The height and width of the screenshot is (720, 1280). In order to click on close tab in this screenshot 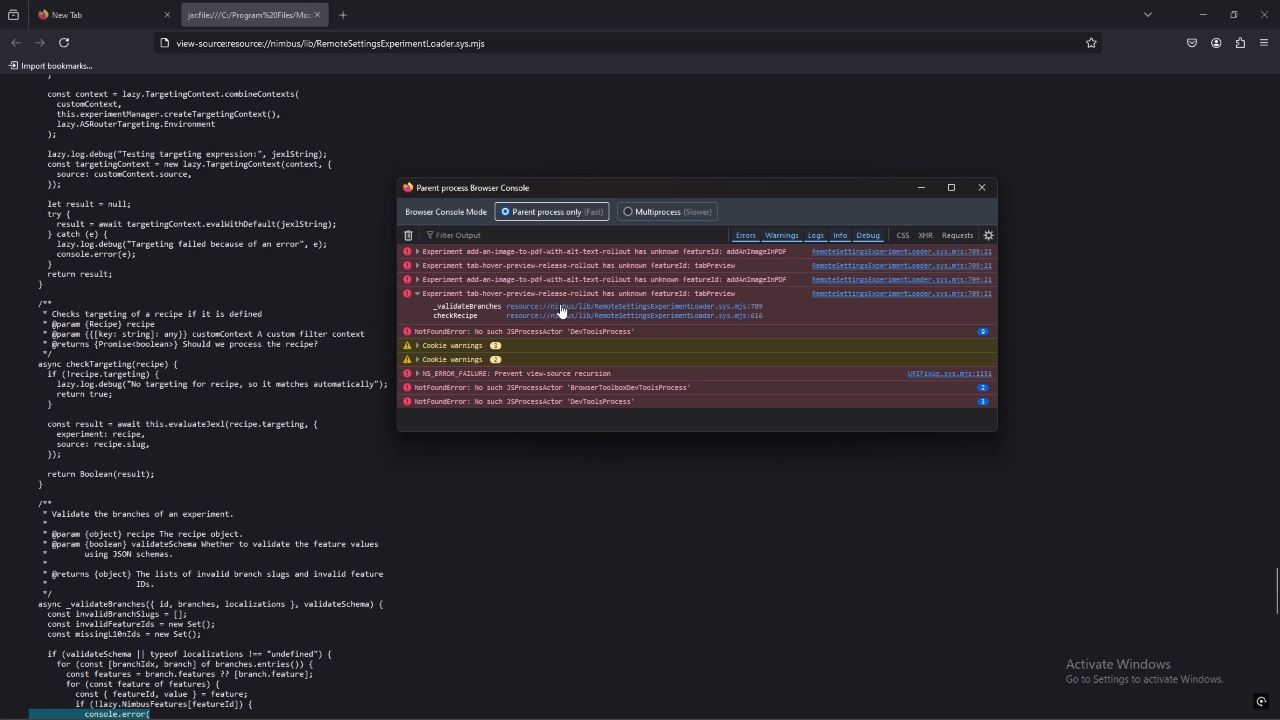, I will do `click(167, 16)`.